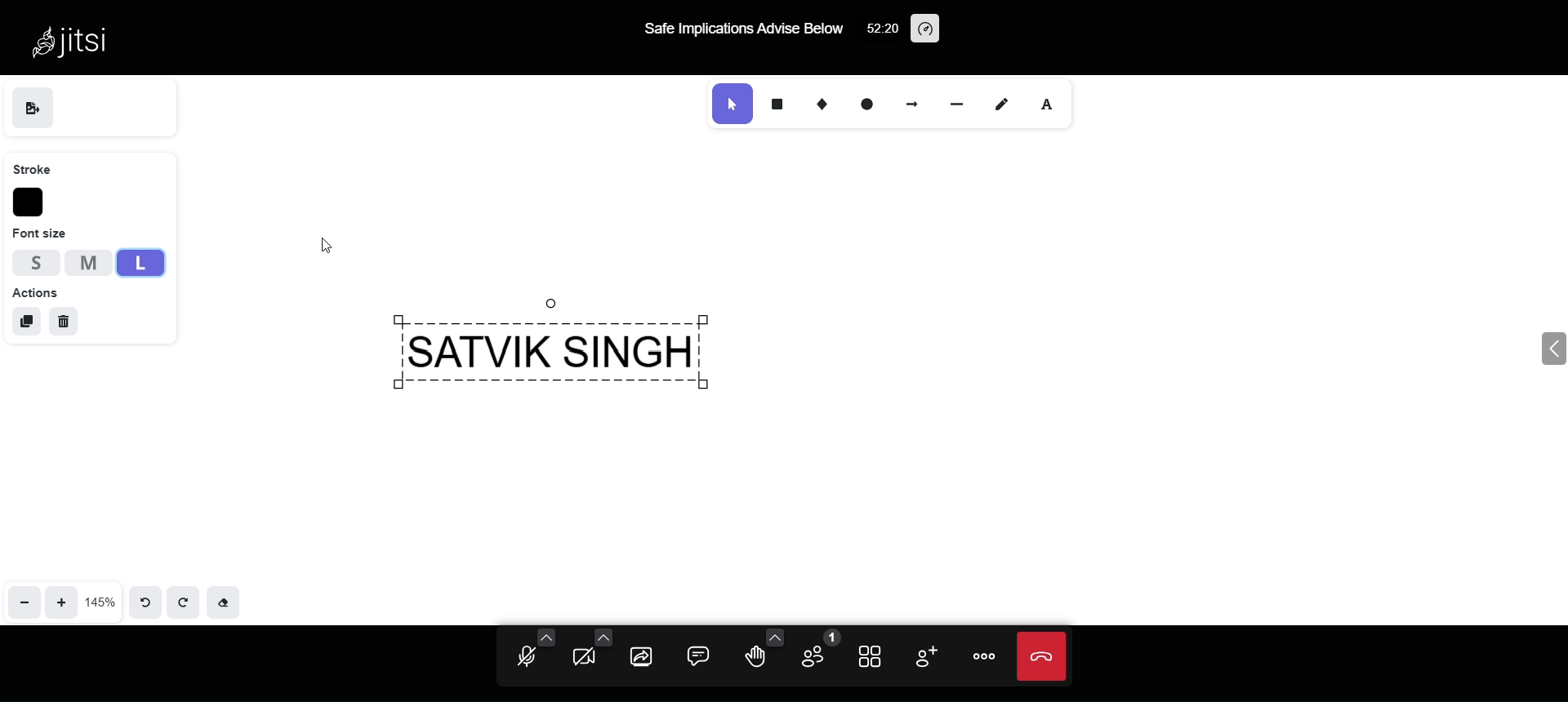  Describe the element at coordinates (1057, 104) in the screenshot. I see `font` at that location.